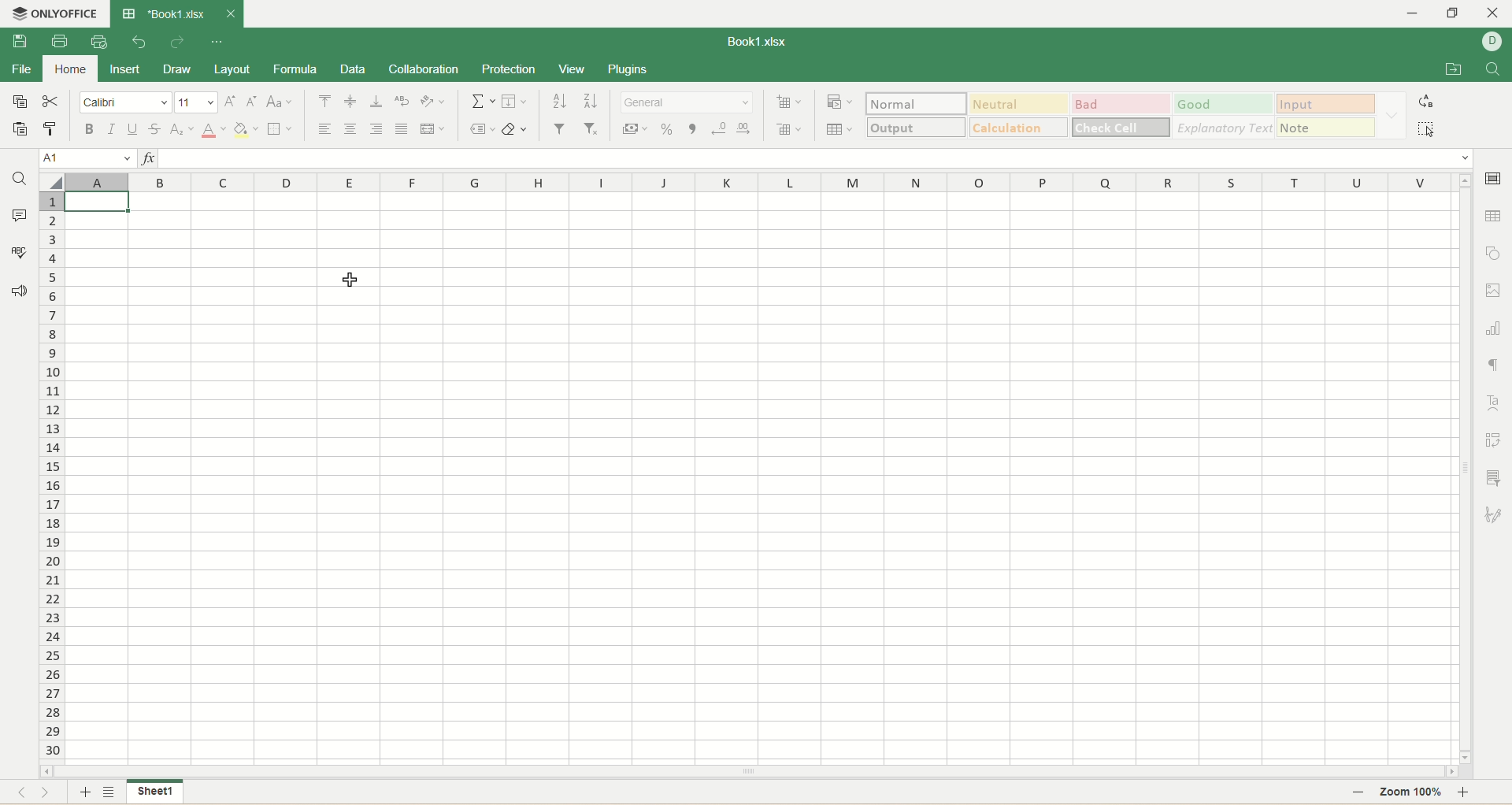  What do you see at coordinates (817, 158) in the screenshot?
I see `input line` at bounding box center [817, 158].